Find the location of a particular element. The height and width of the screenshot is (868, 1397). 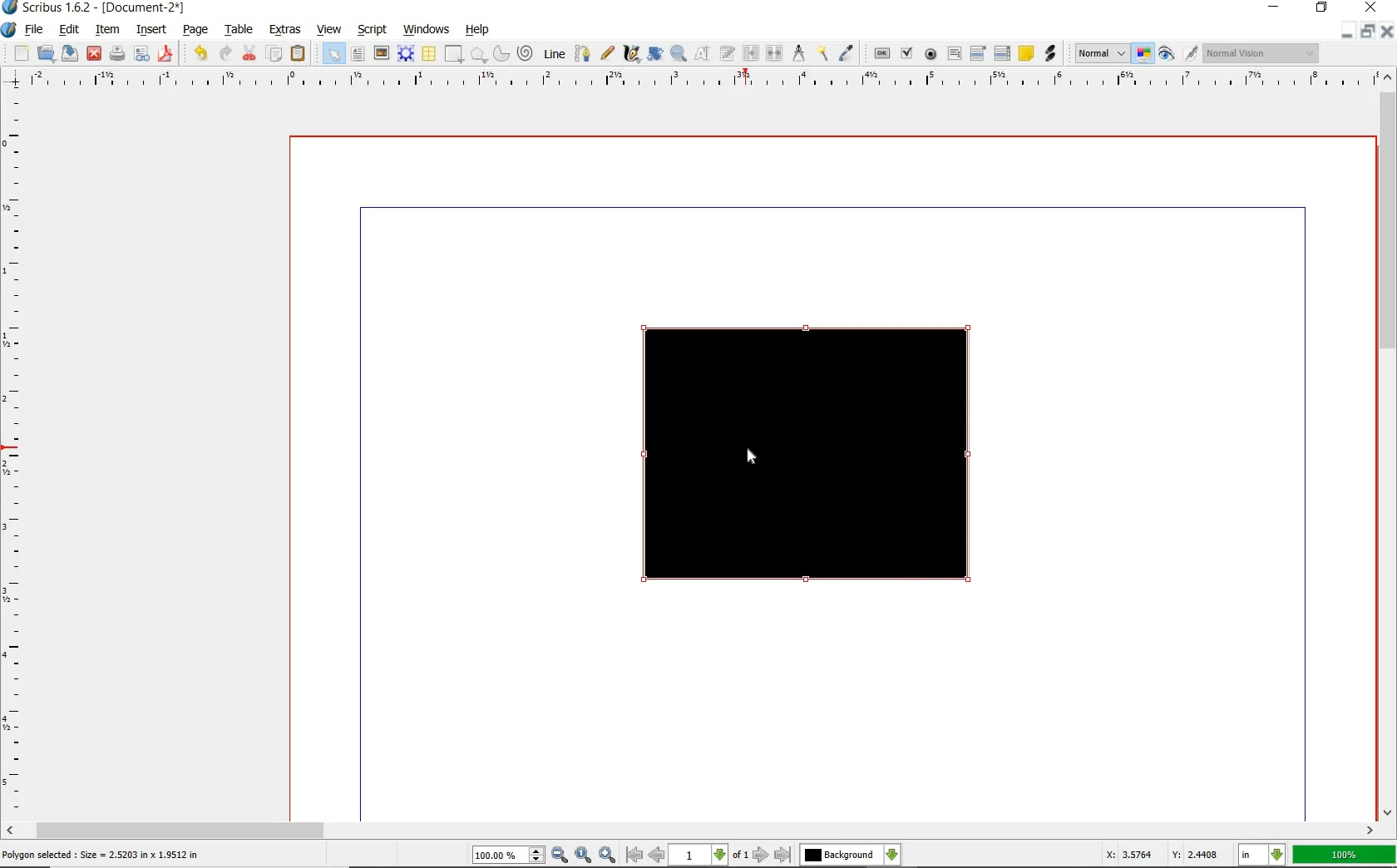

file is located at coordinates (35, 32).